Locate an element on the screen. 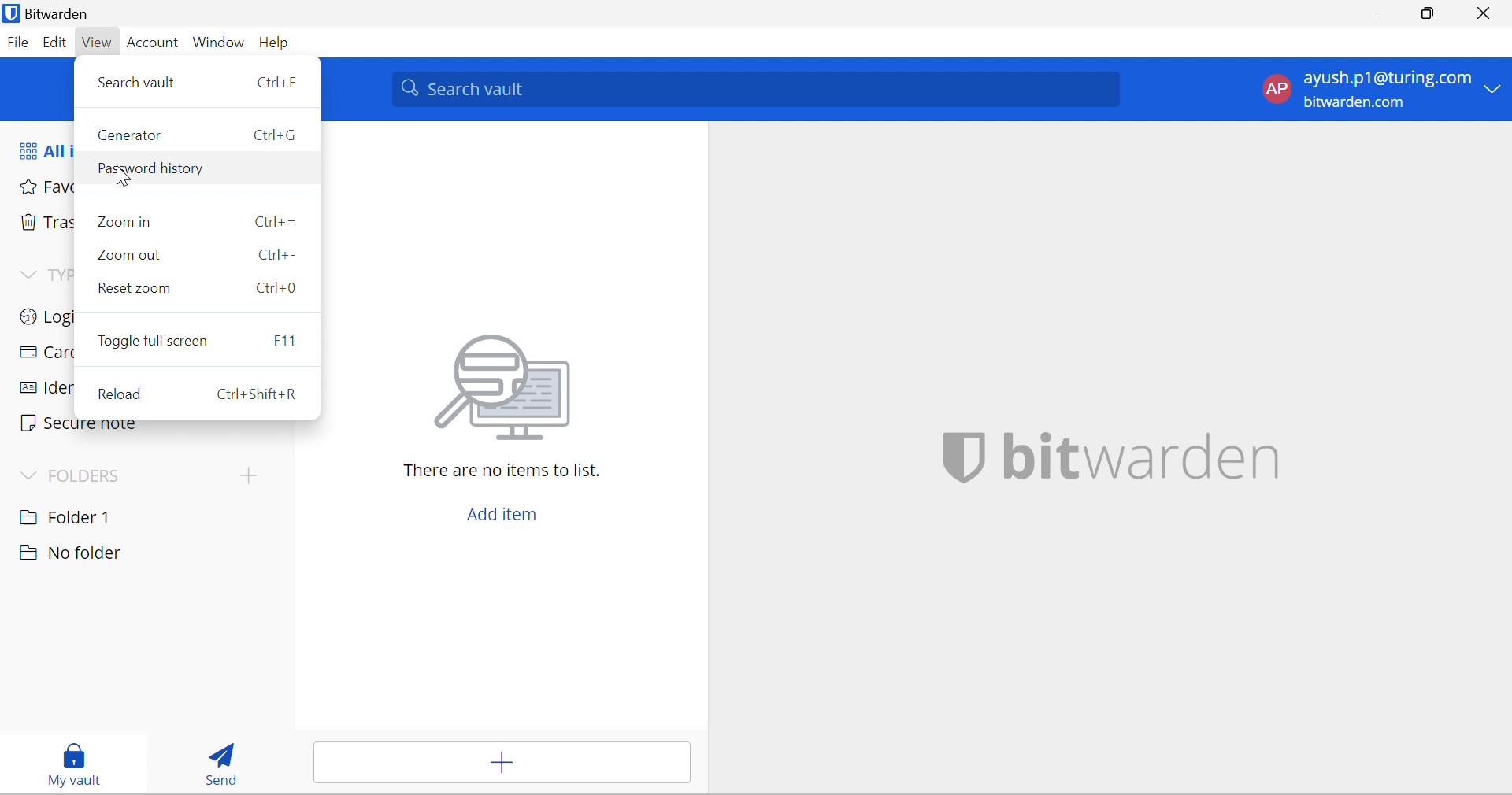 This screenshot has height=795, width=1512. reload is located at coordinates (197, 391).